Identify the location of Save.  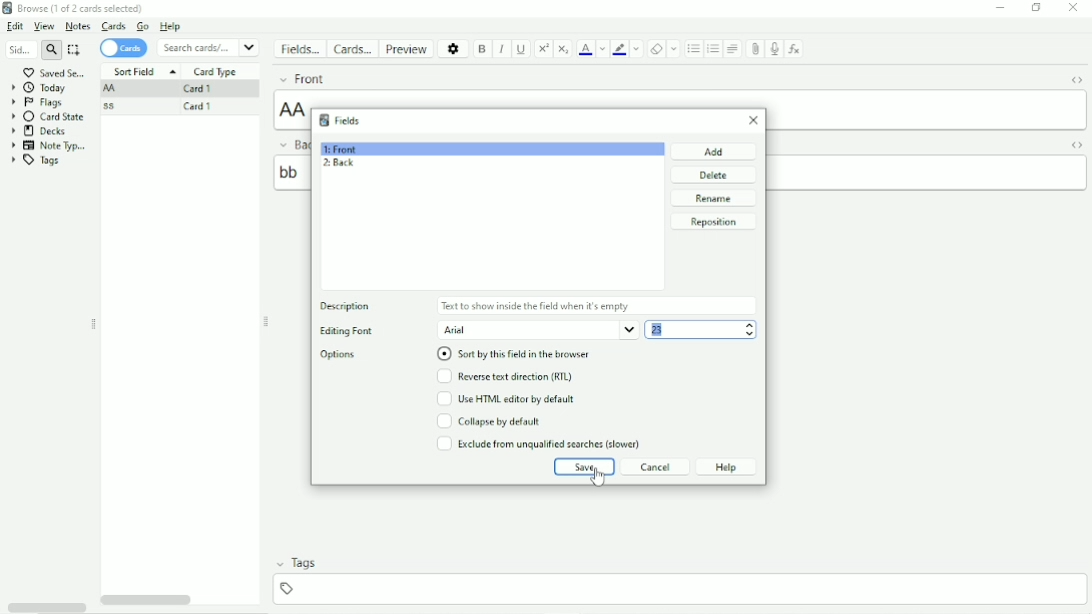
(583, 467).